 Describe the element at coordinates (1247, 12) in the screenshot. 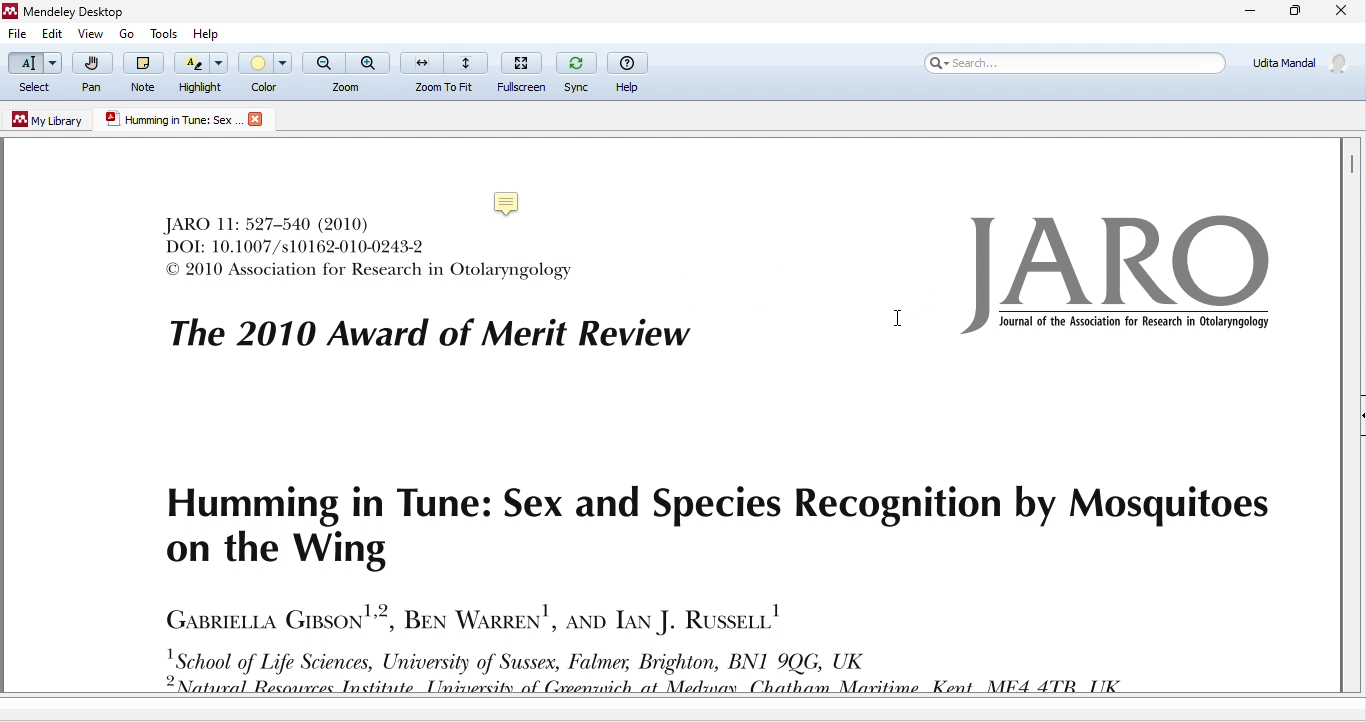

I see `minimize` at that location.